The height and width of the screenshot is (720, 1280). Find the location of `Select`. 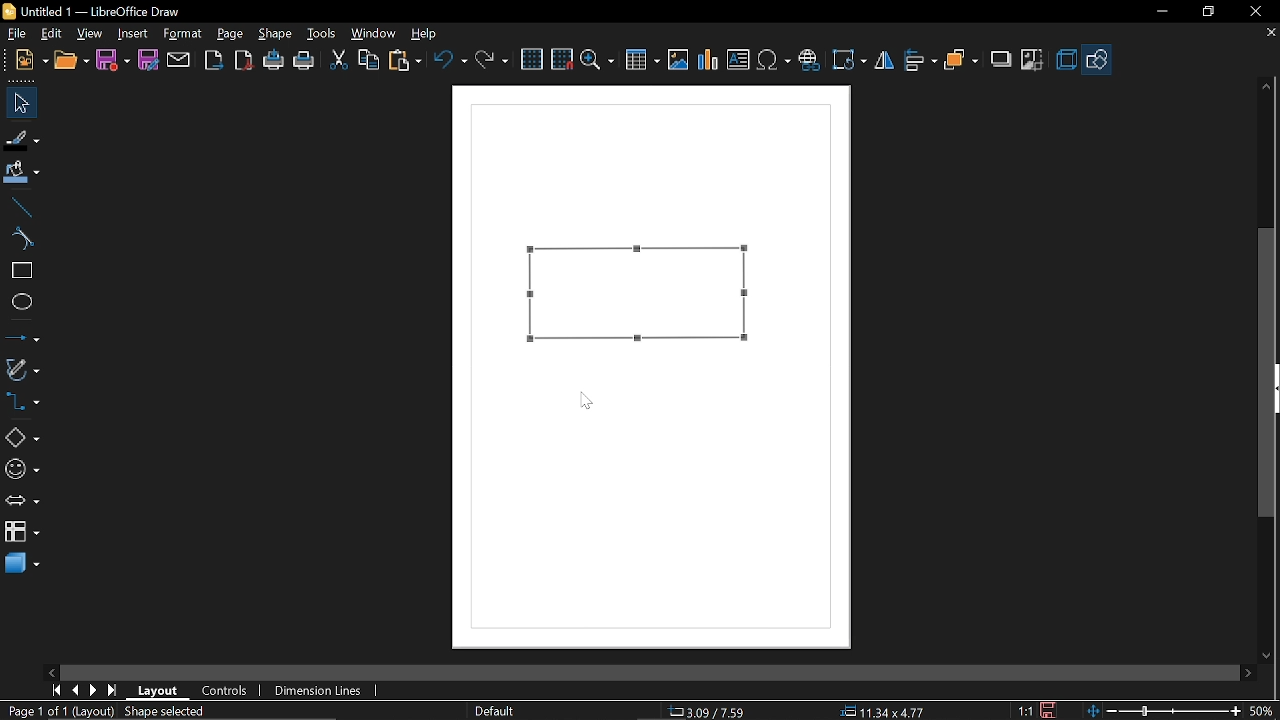

Select is located at coordinates (18, 102).